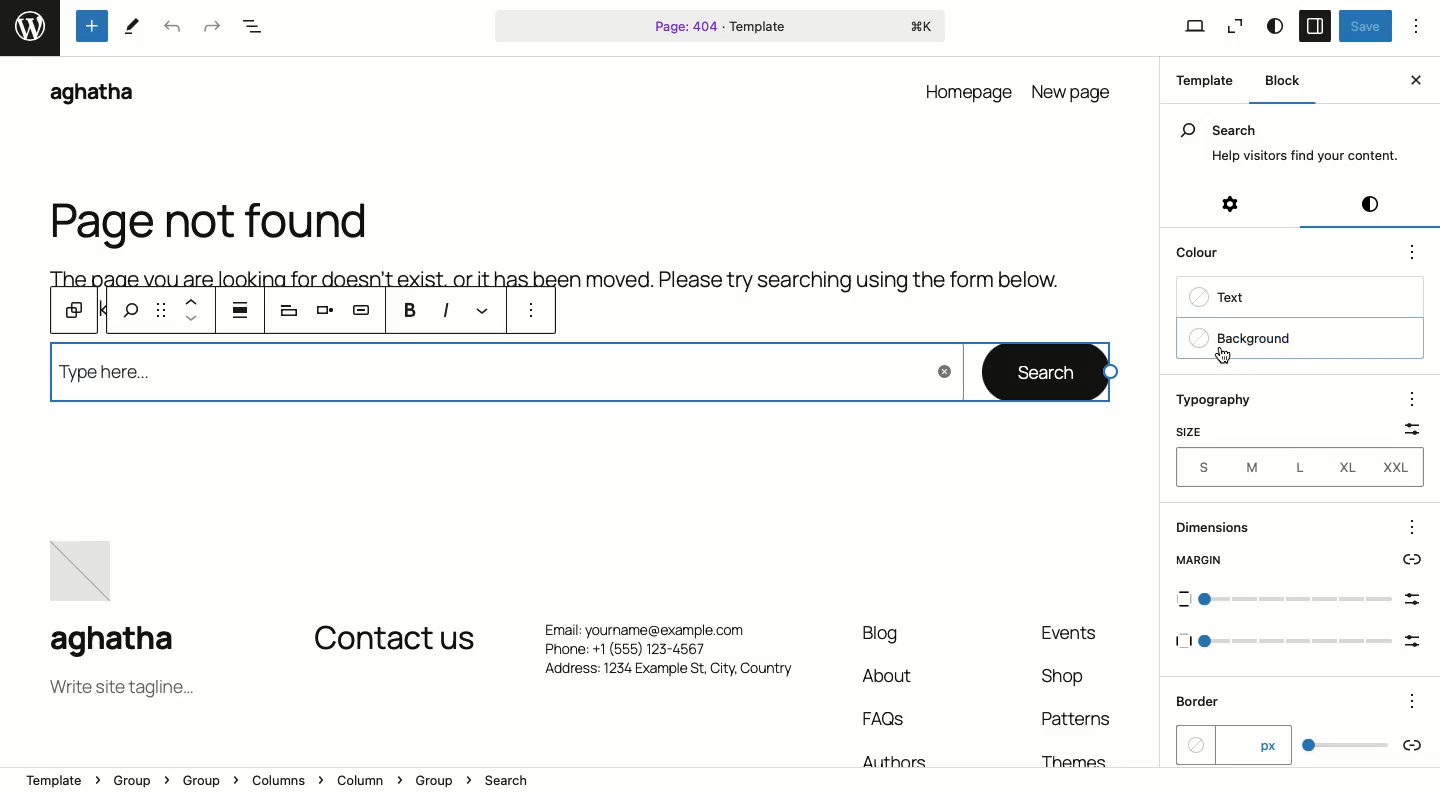  What do you see at coordinates (1422, 27) in the screenshot?
I see `Options` at bounding box center [1422, 27].